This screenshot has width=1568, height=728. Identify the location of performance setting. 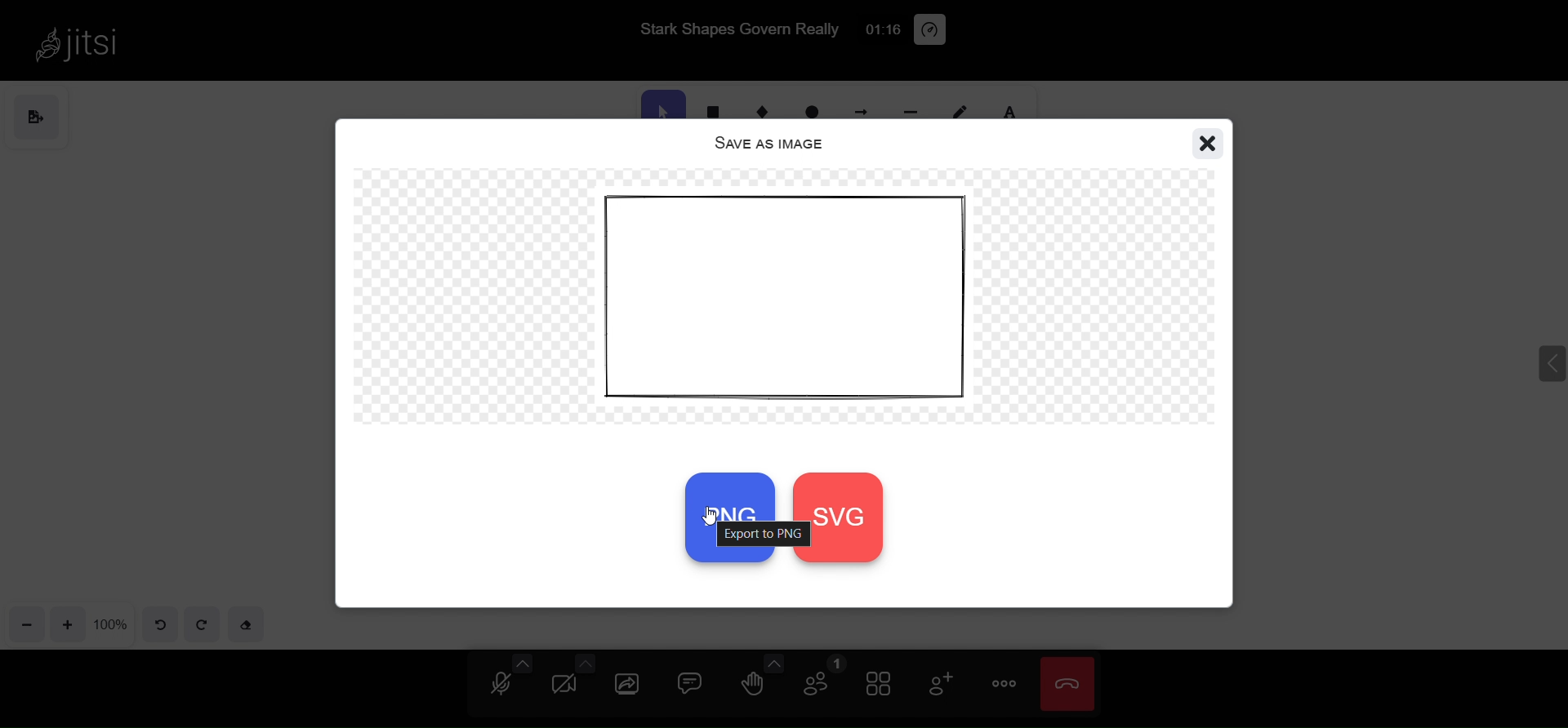
(931, 29).